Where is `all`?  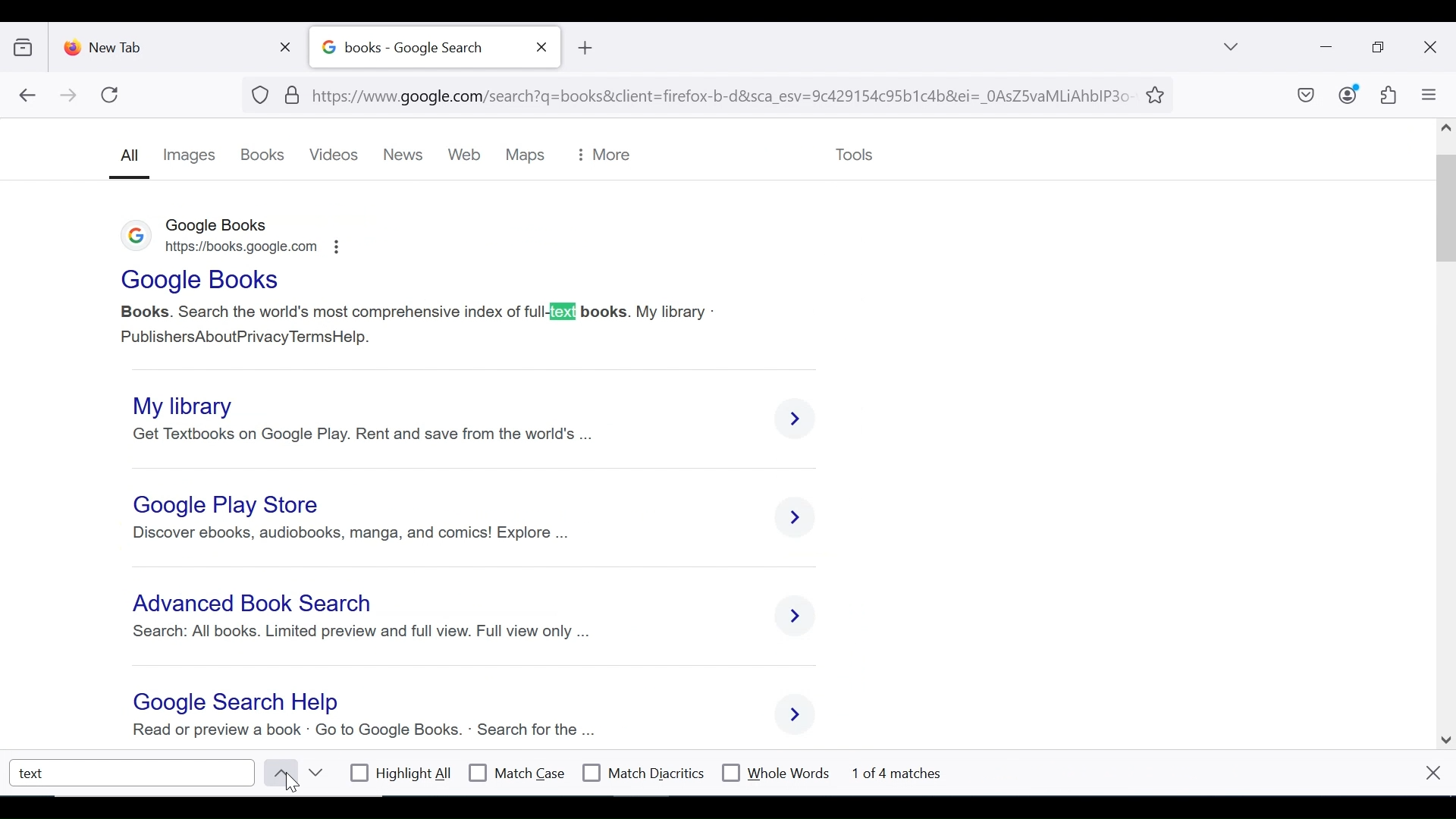 all is located at coordinates (127, 159).